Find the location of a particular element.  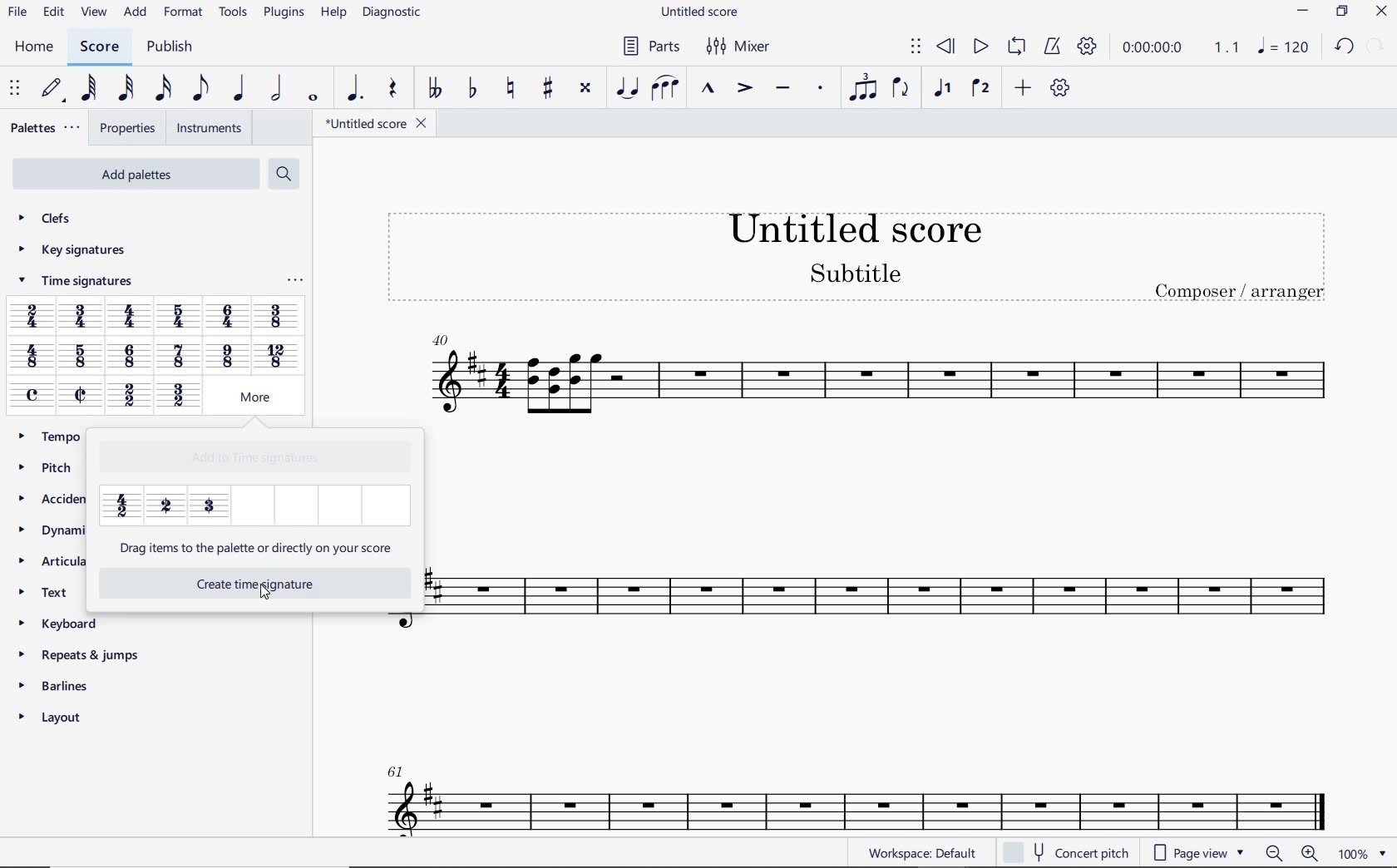

32ND NOTE is located at coordinates (126, 89).